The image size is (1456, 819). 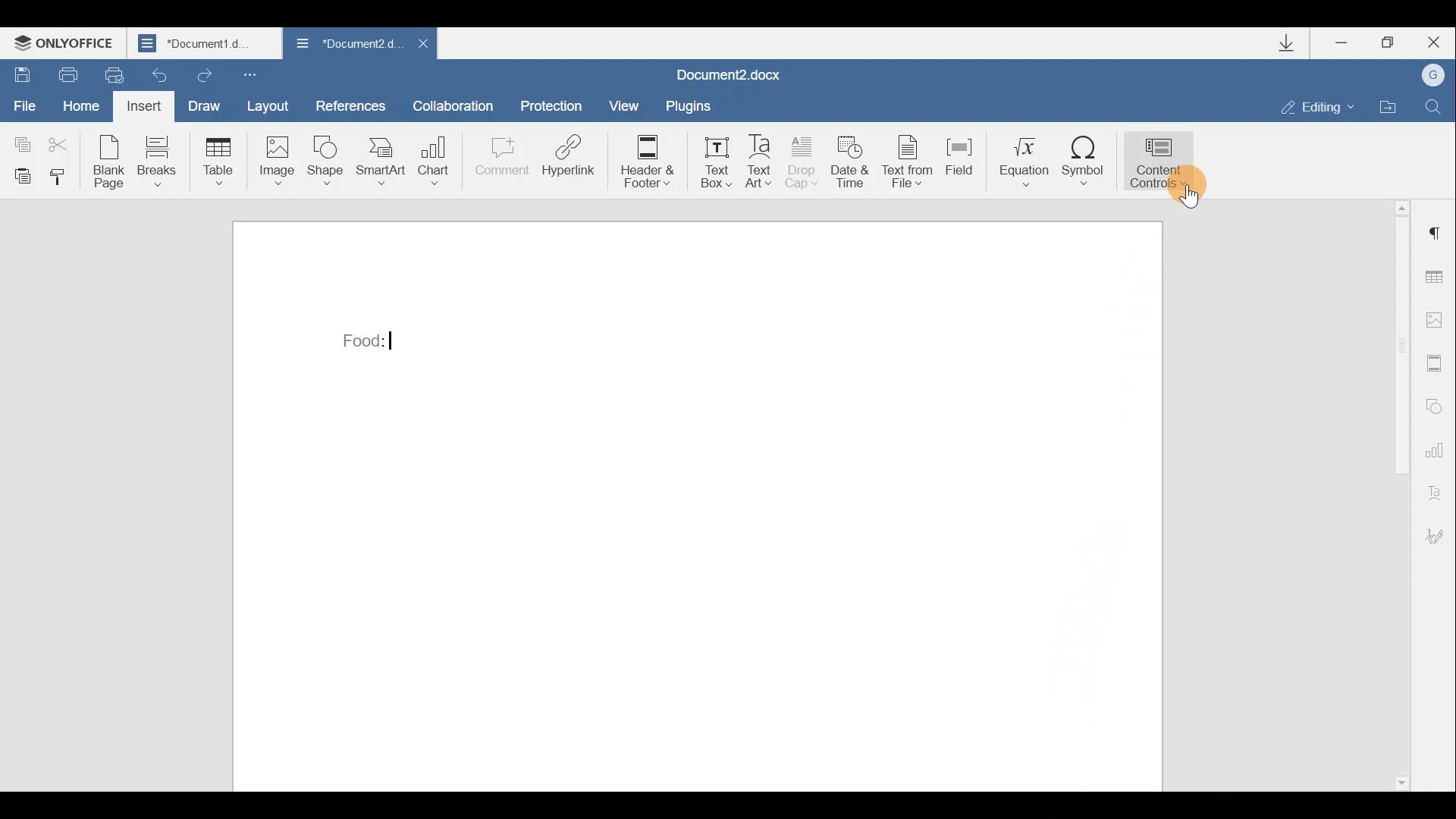 I want to click on Shapes settings, so click(x=1435, y=404).